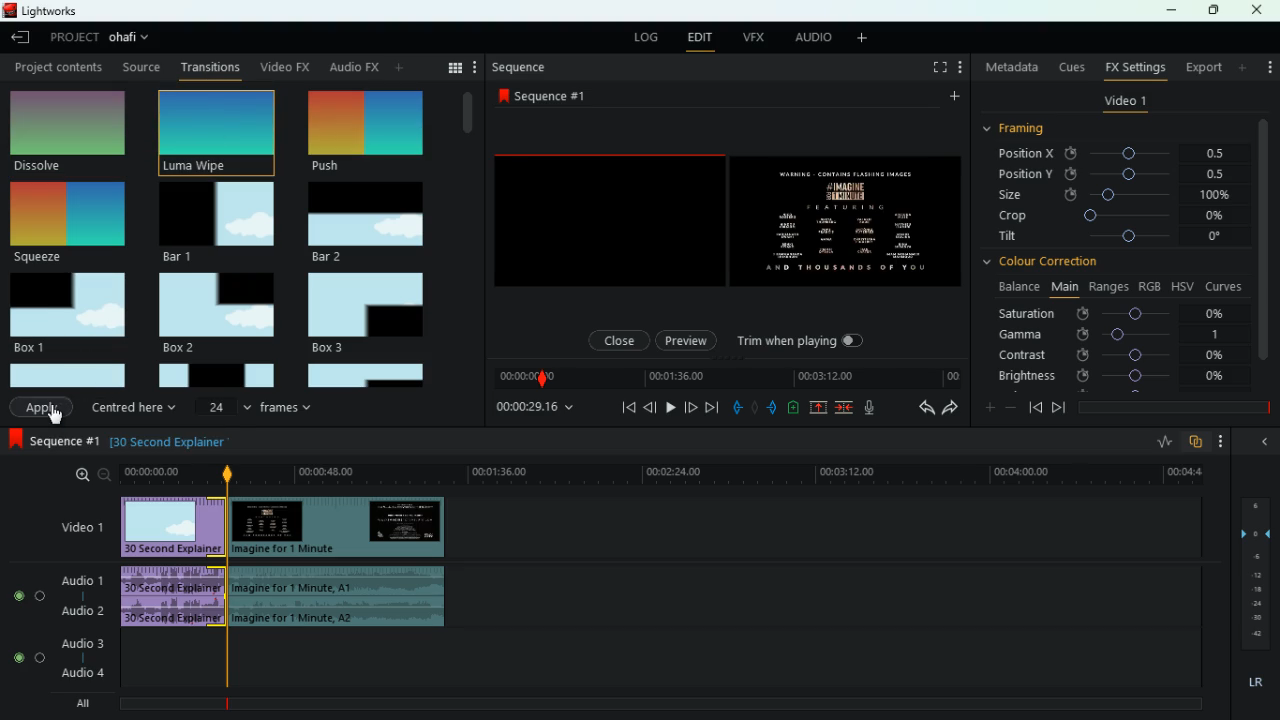  What do you see at coordinates (77, 528) in the screenshot?
I see `video 1` at bounding box center [77, 528].